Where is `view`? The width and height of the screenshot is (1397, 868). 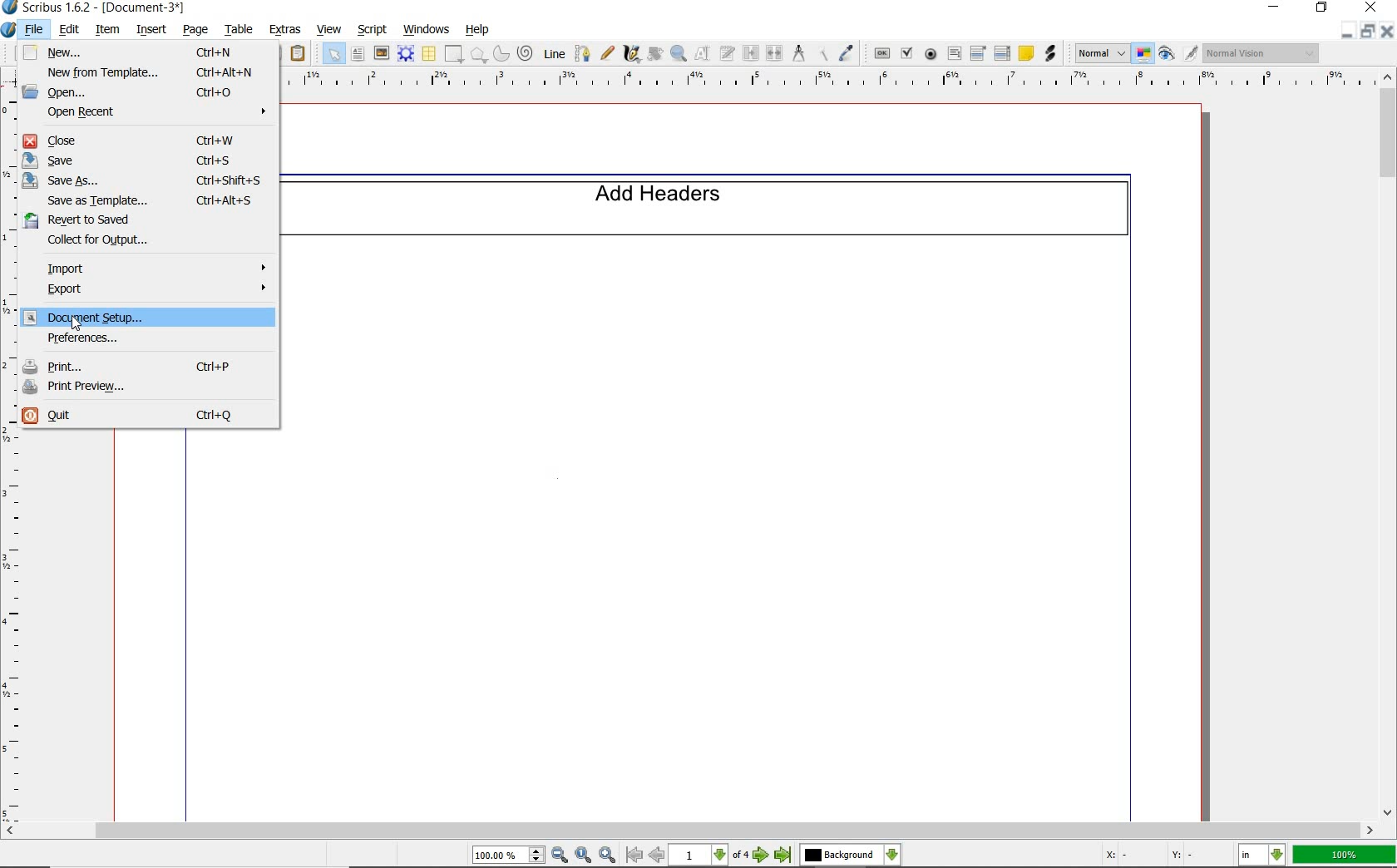 view is located at coordinates (329, 31).